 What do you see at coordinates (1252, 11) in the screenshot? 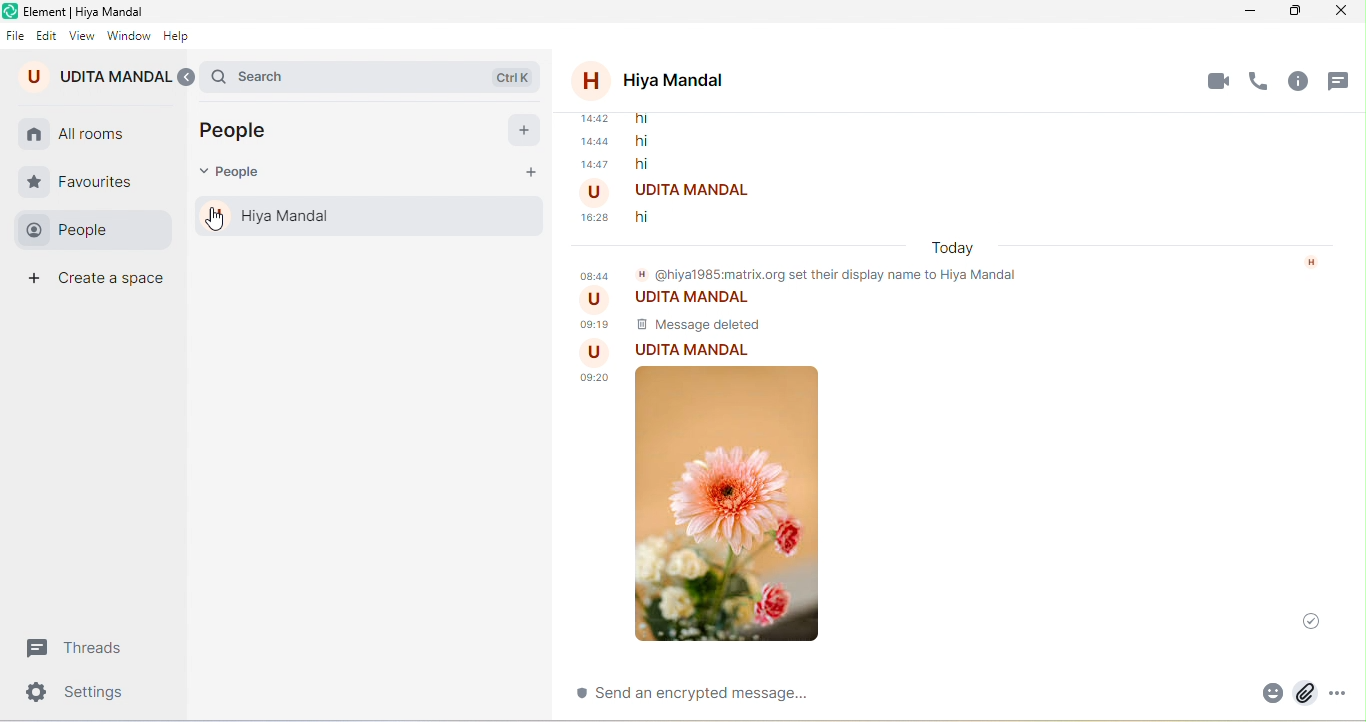
I see `minimize` at bounding box center [1252, 11].